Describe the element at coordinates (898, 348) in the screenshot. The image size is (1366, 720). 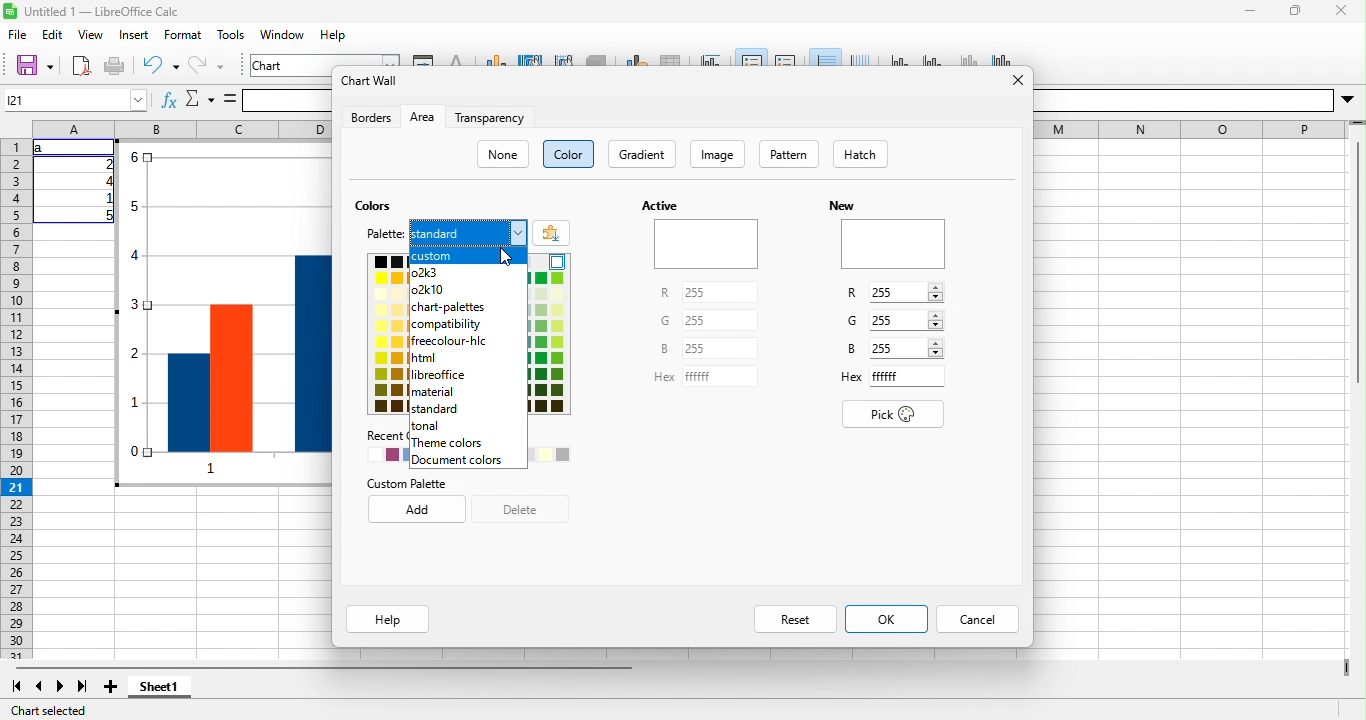
I see `Input B value` at that location.